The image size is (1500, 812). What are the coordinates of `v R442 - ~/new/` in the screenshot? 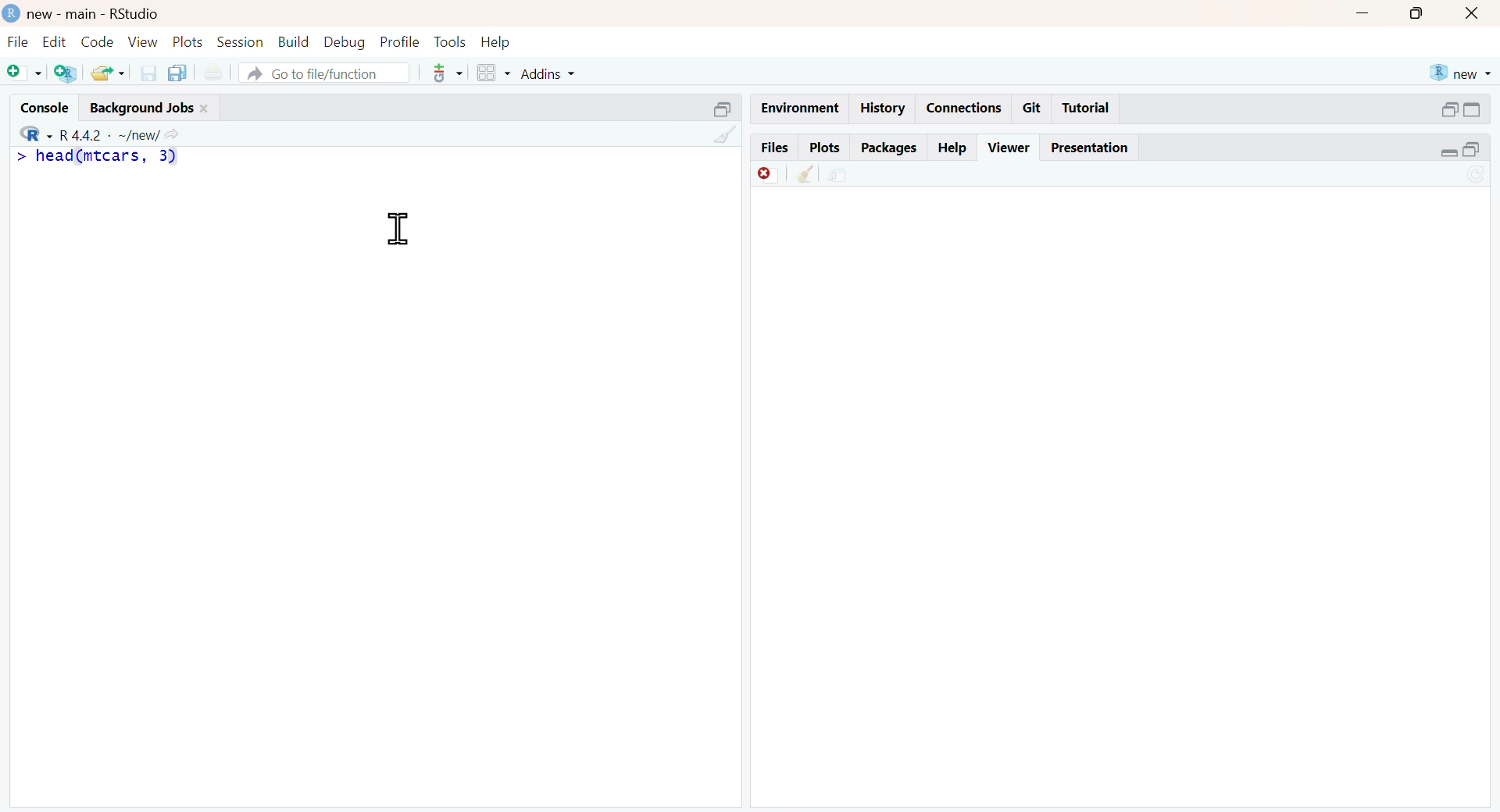 It's located at (129, 134).